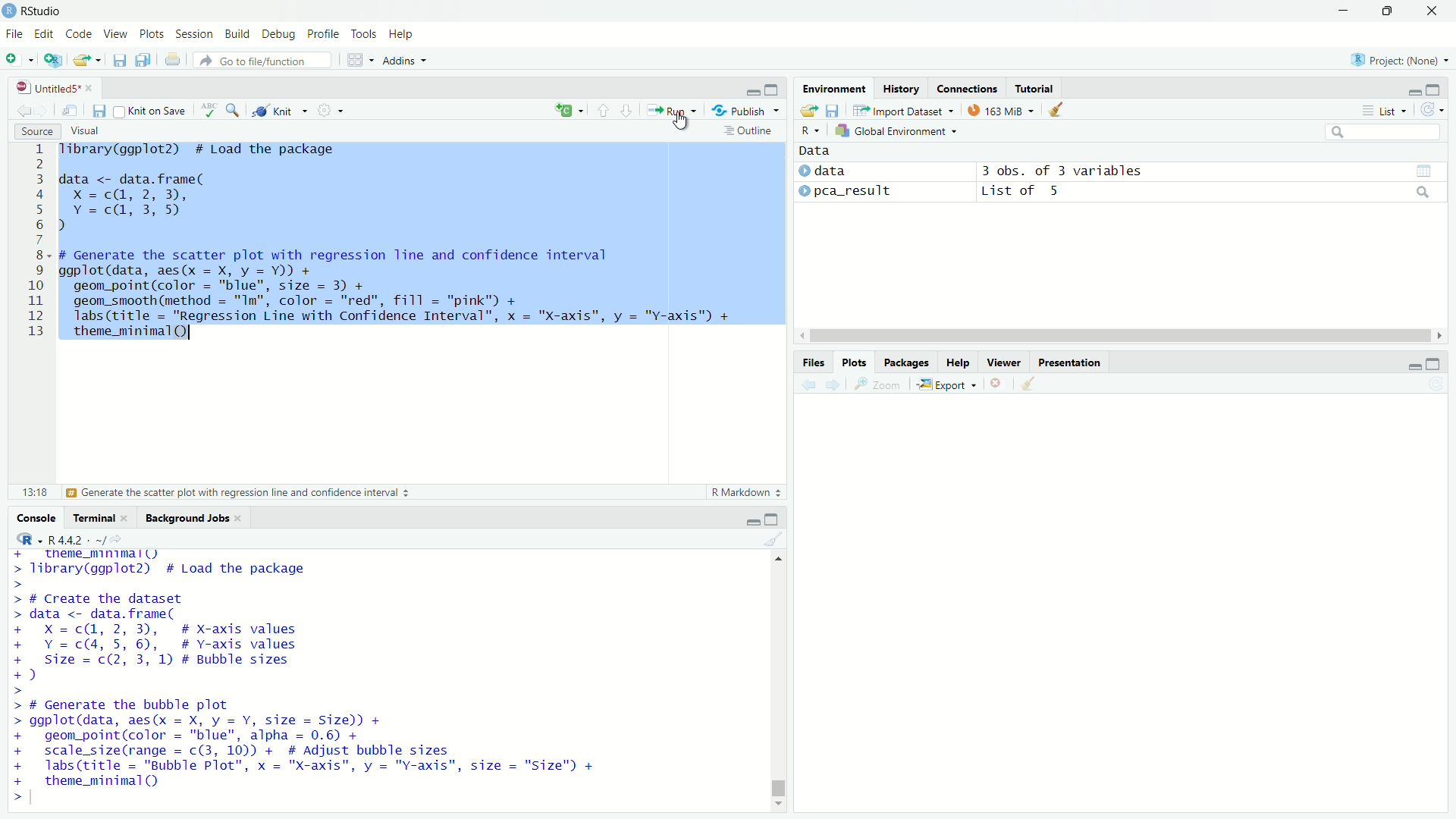 The width and height of the screenshot is (1456, 819). What do you see at coordinates (280, 109) in the screenshot?
I see `Knit` at bounding box center [280, 109].